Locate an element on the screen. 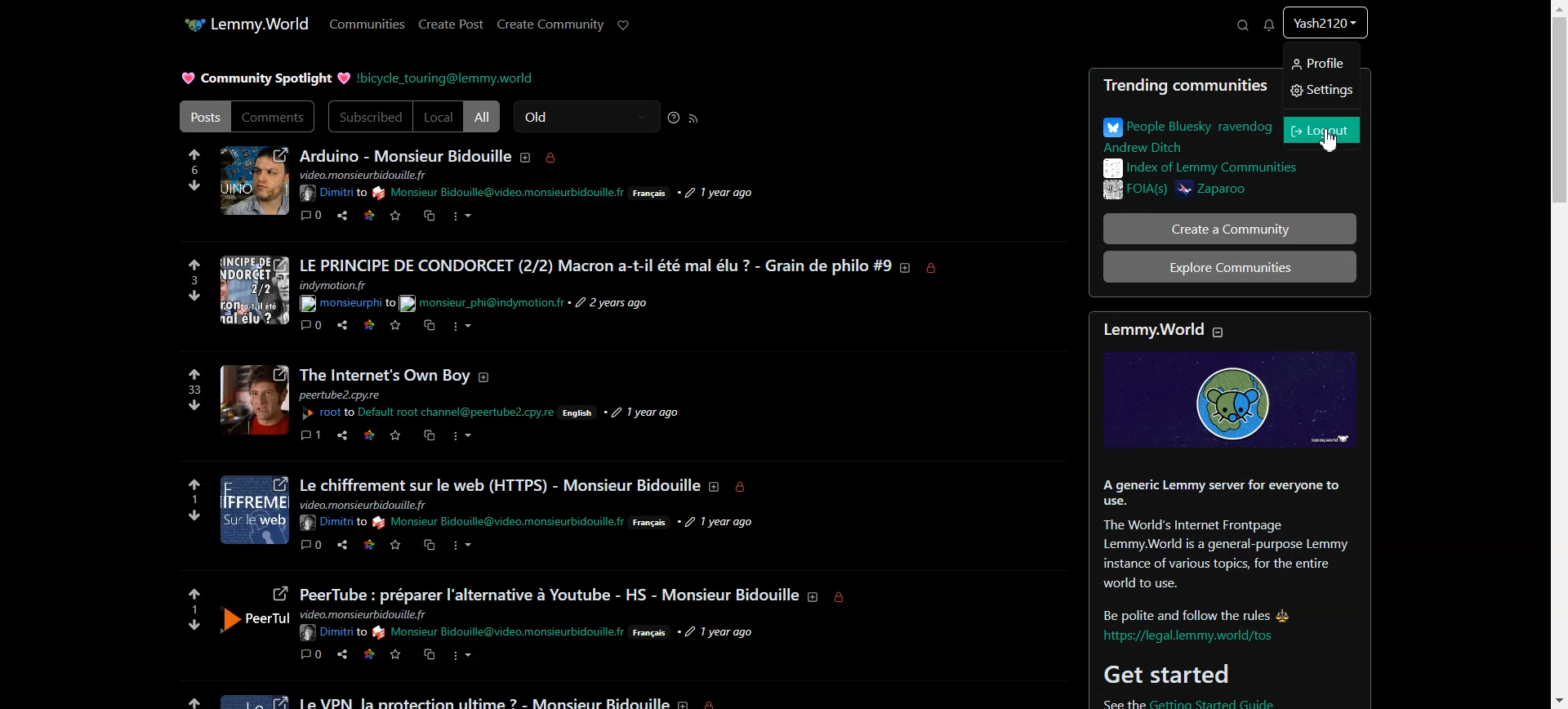  Lemmy.World is located at coordinates (1150, 331).